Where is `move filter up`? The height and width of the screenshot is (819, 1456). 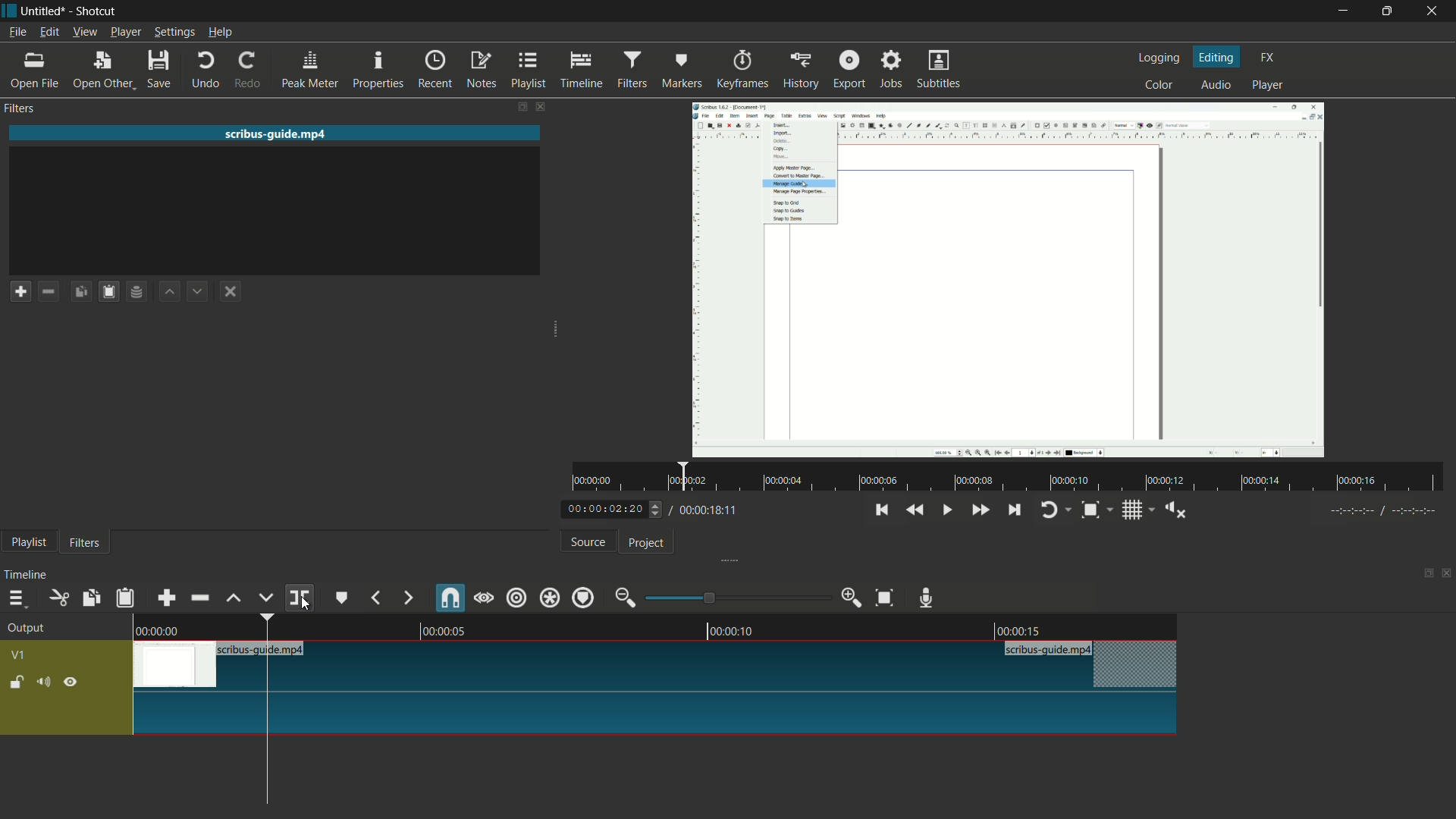 move filter up is located at coordinates (168, 291).